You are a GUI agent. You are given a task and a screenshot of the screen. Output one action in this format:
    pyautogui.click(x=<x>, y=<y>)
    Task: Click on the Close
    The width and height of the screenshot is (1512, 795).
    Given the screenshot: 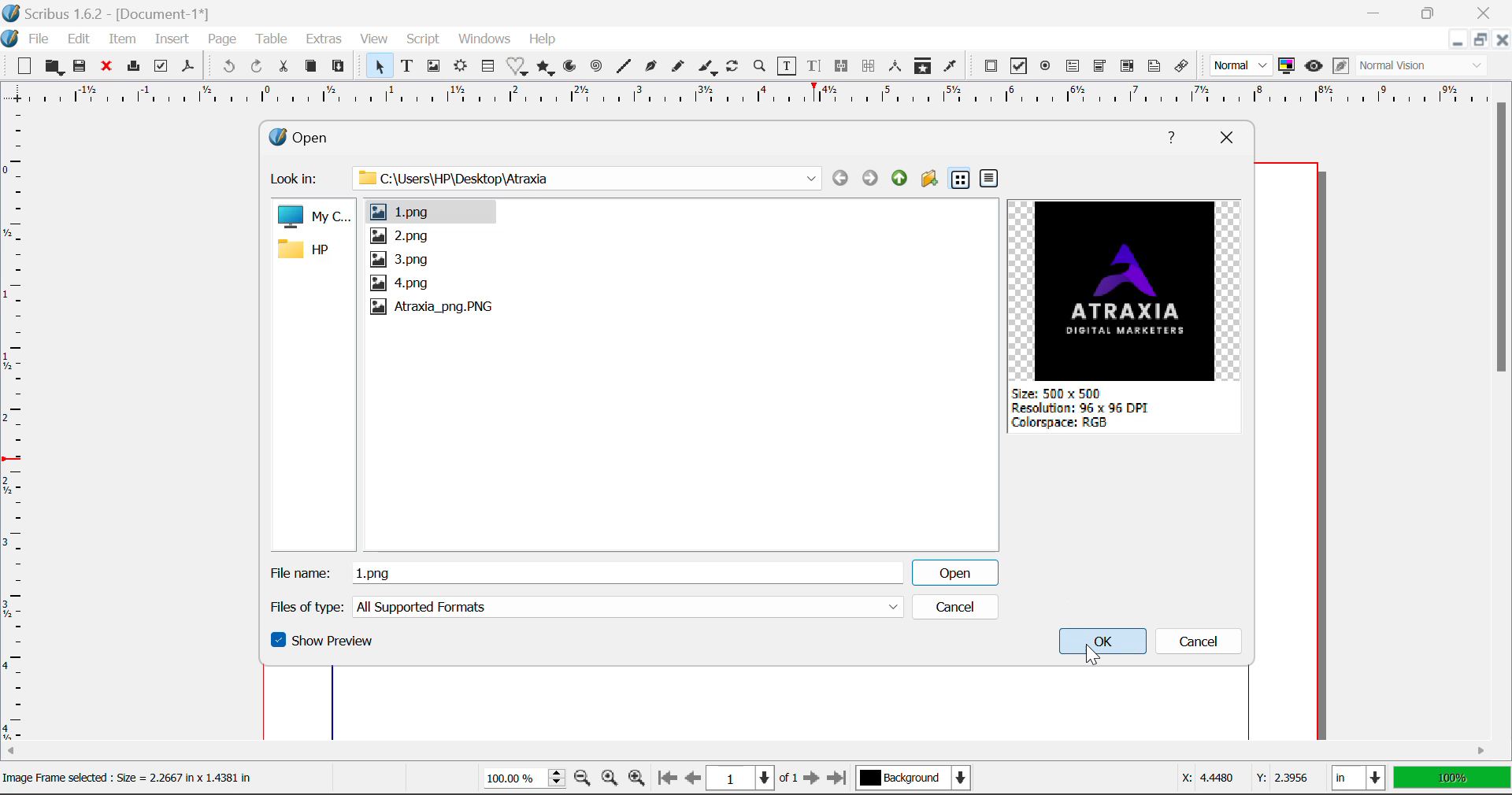 What is the action you would take?
    pyautogui.click(x=109, y=68)
    